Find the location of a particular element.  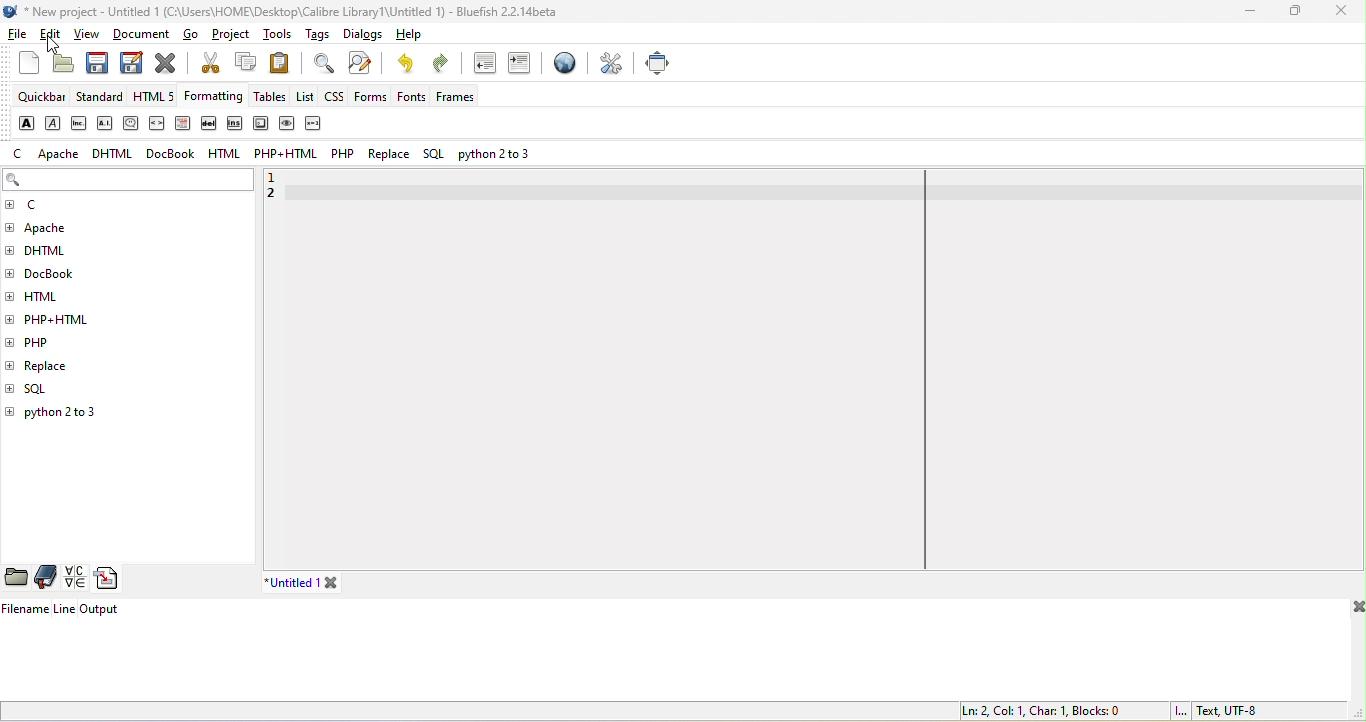

edit is located at coordinates (55, 37).